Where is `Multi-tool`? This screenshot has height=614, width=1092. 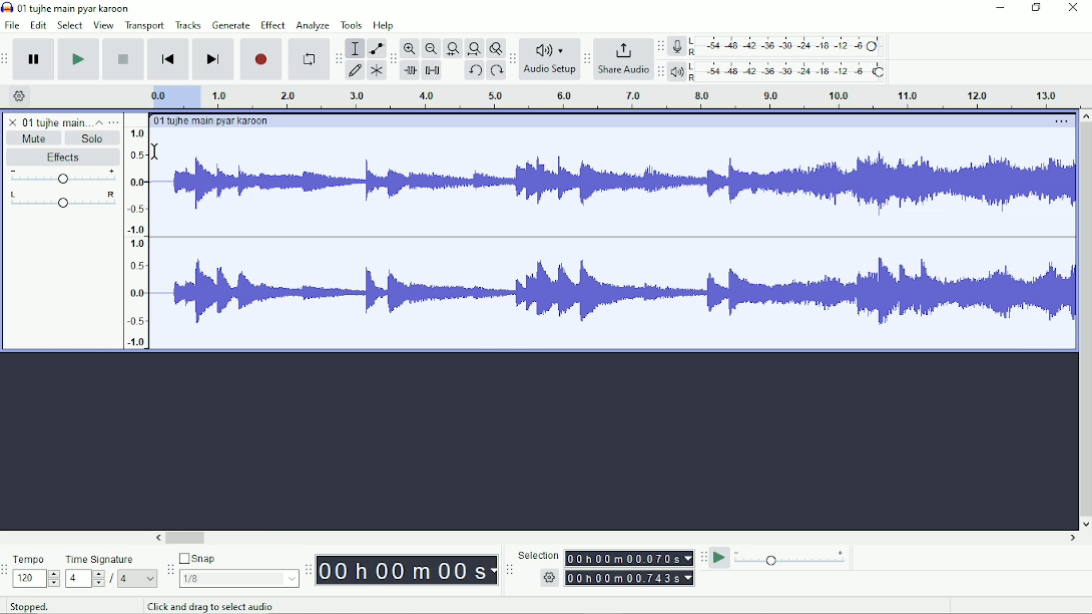
Multi-tool is located at coordinates (376, 73).